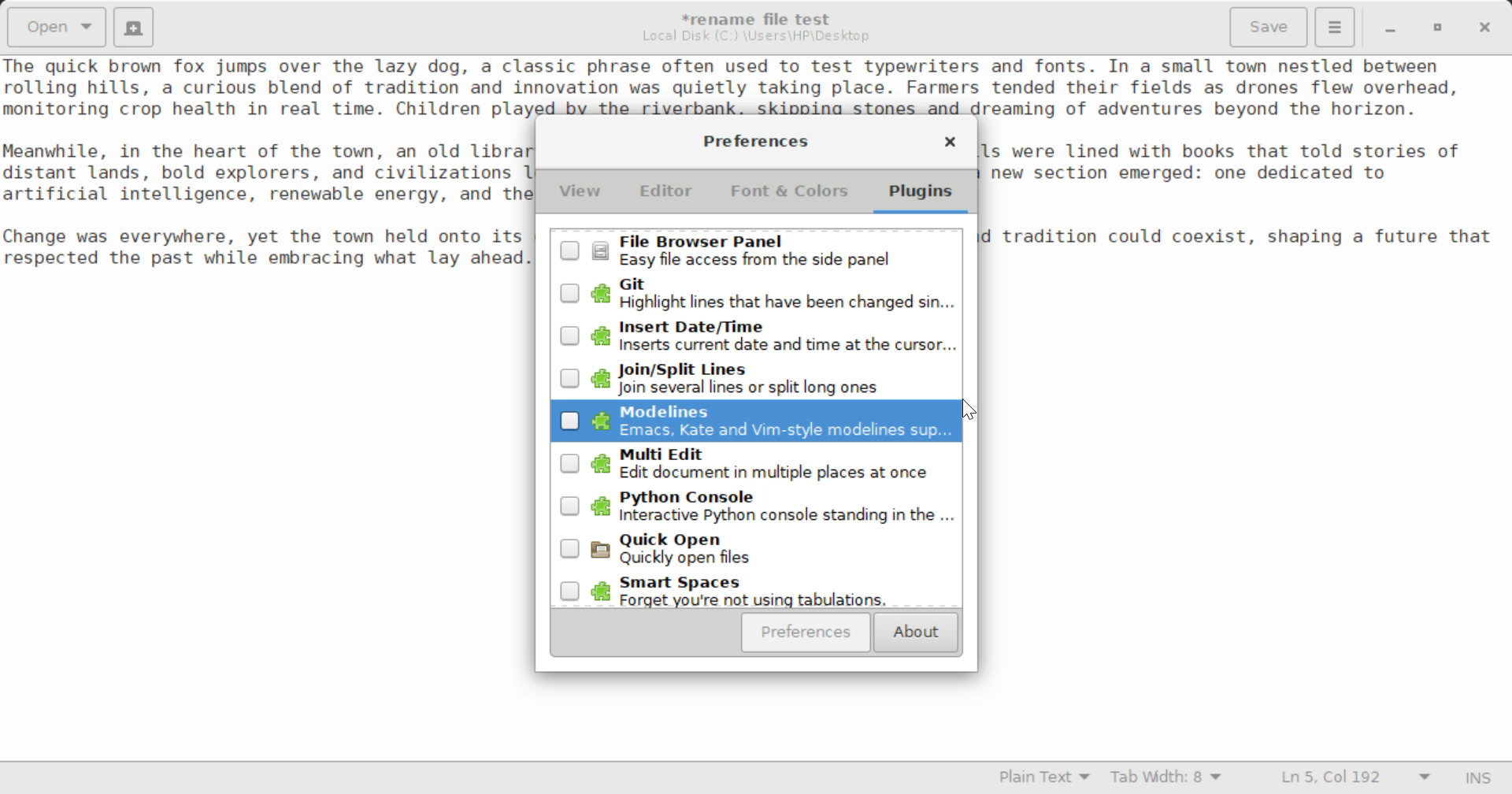 The image size is (1512, 794). Describe the element at coordinates (753, 333) in the screenshot. I see `Unselected Insert Date/Time Plugin` at that location.